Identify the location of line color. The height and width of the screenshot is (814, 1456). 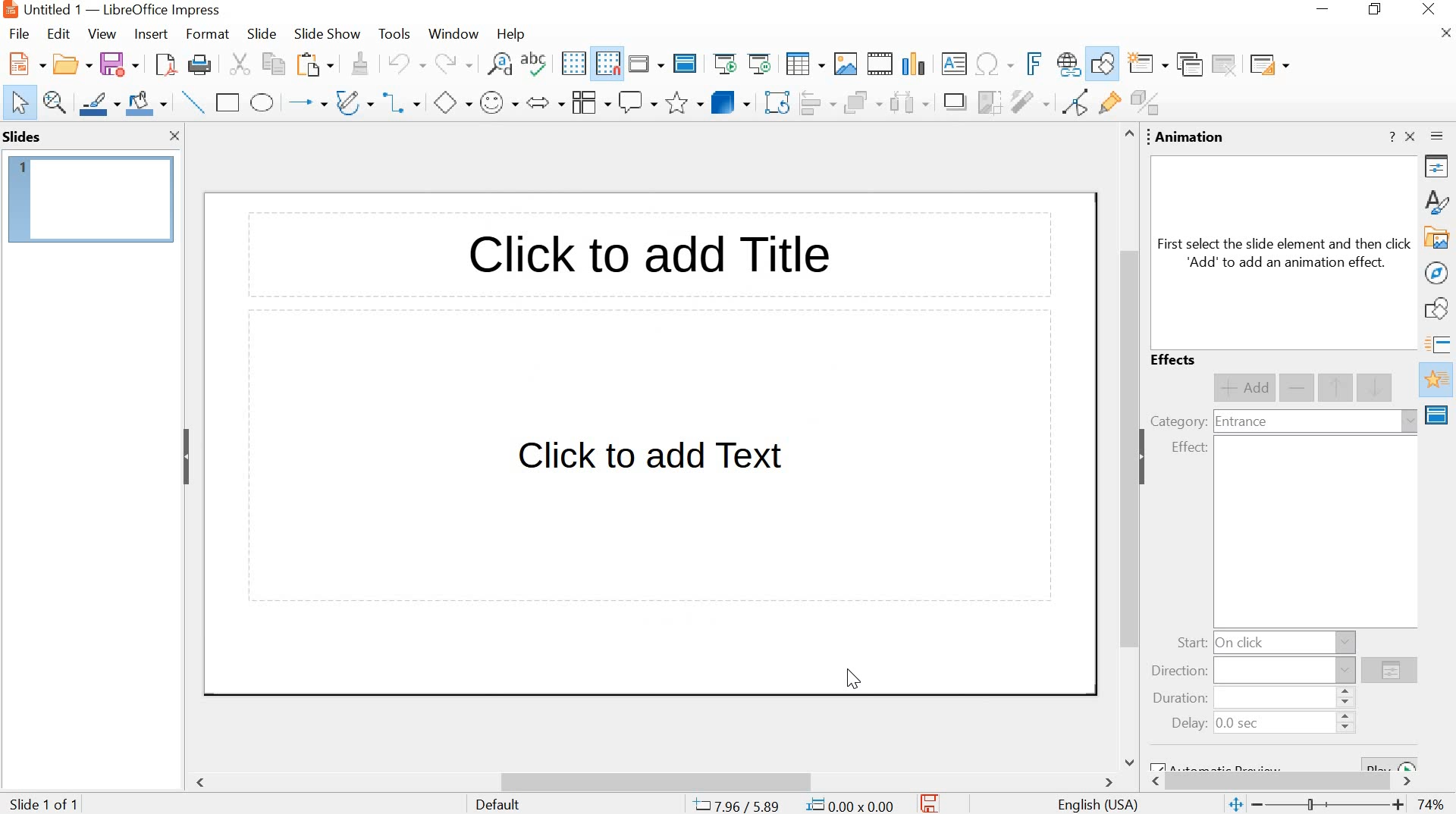
(99, 102).